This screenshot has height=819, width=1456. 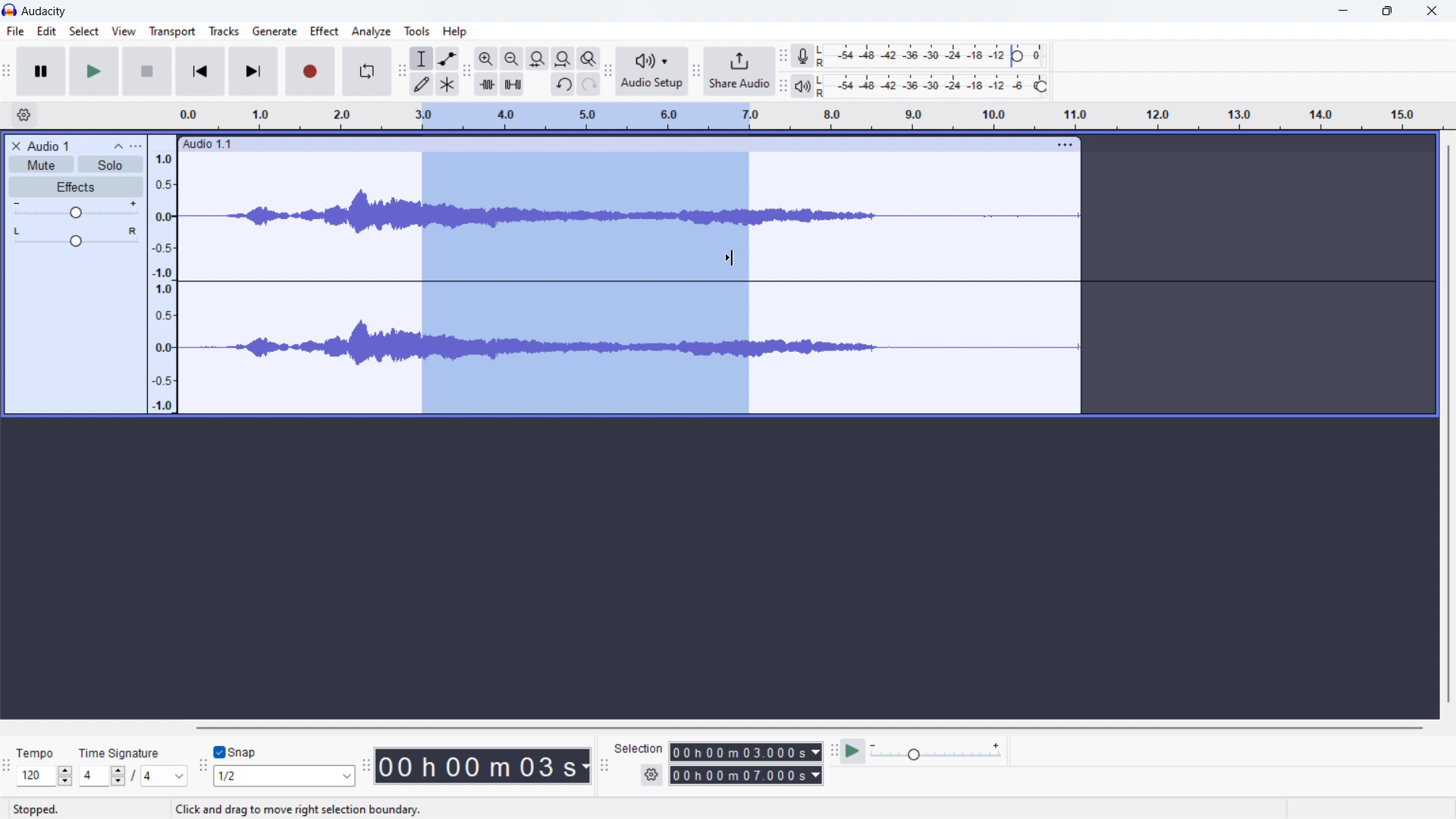 What do you see at coordinates (47, 30) in the screenshot?
I see `edit` at bounding box center [47, 30].